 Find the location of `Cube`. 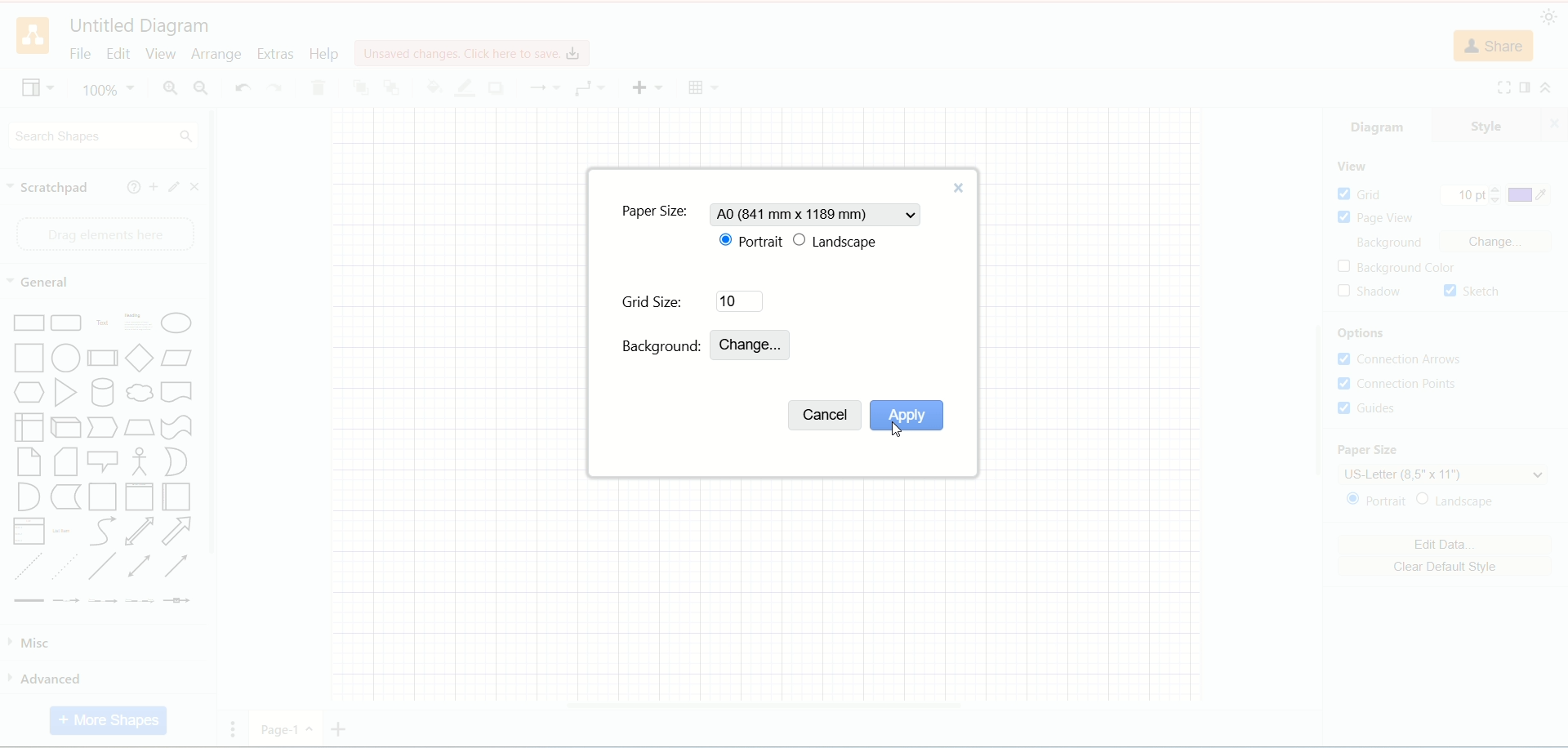

Cube is located at coordinates (65, 428).